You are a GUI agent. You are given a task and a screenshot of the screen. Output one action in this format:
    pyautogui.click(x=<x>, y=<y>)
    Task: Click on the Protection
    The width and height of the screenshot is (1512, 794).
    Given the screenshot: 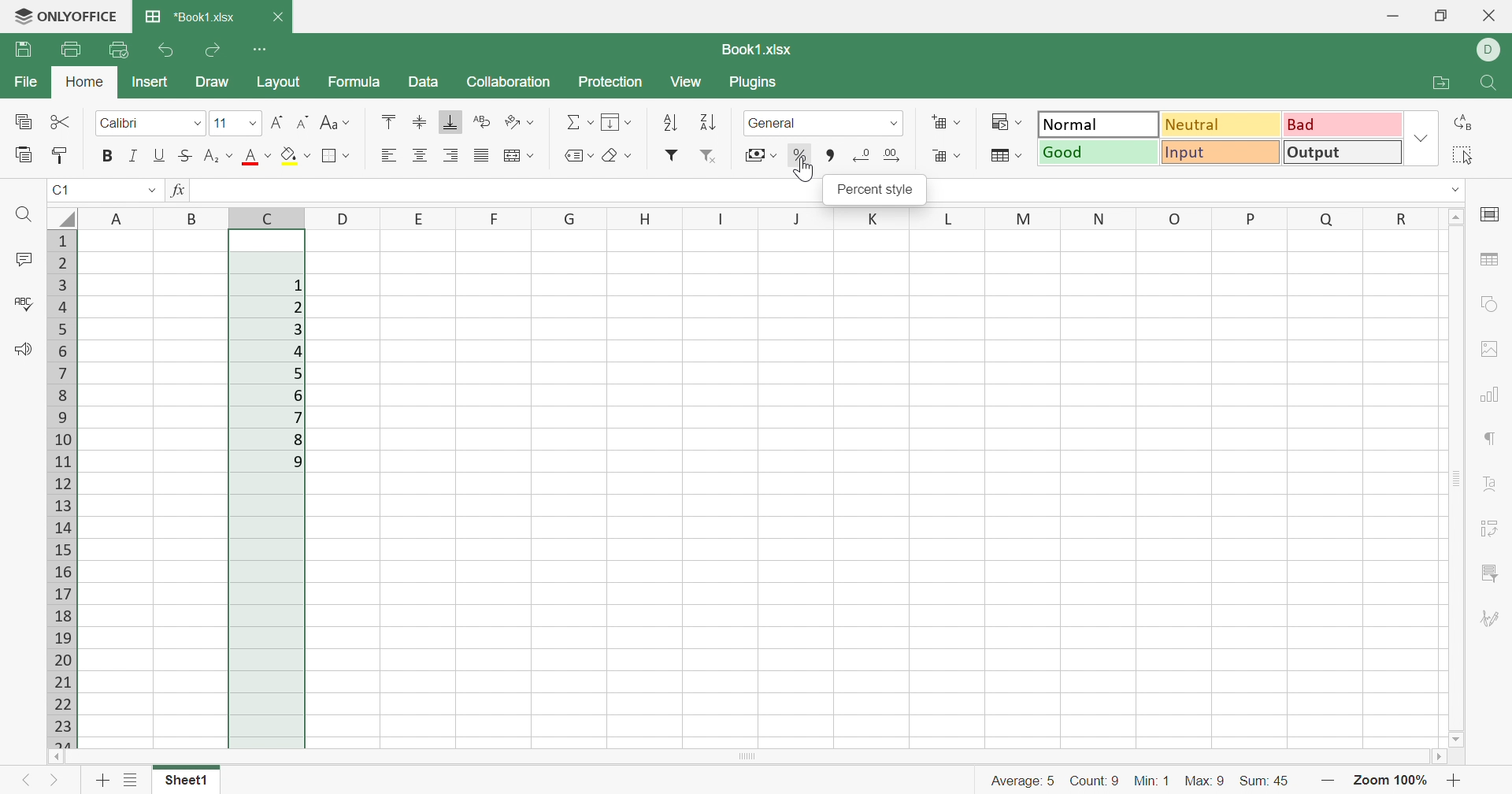 What is the action you would take?
    pyautogui.click(x=612, y=83)
    